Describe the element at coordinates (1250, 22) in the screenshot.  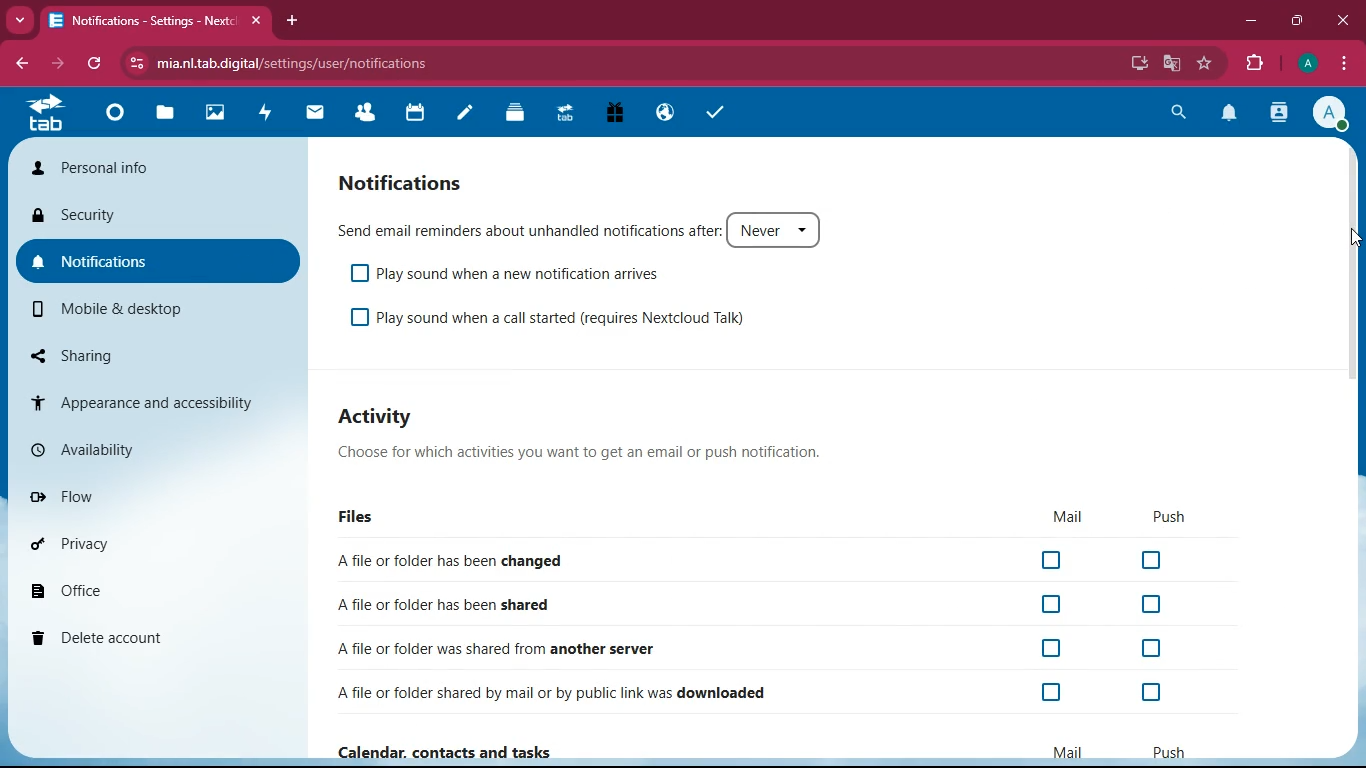
I see `minimize` at that location.